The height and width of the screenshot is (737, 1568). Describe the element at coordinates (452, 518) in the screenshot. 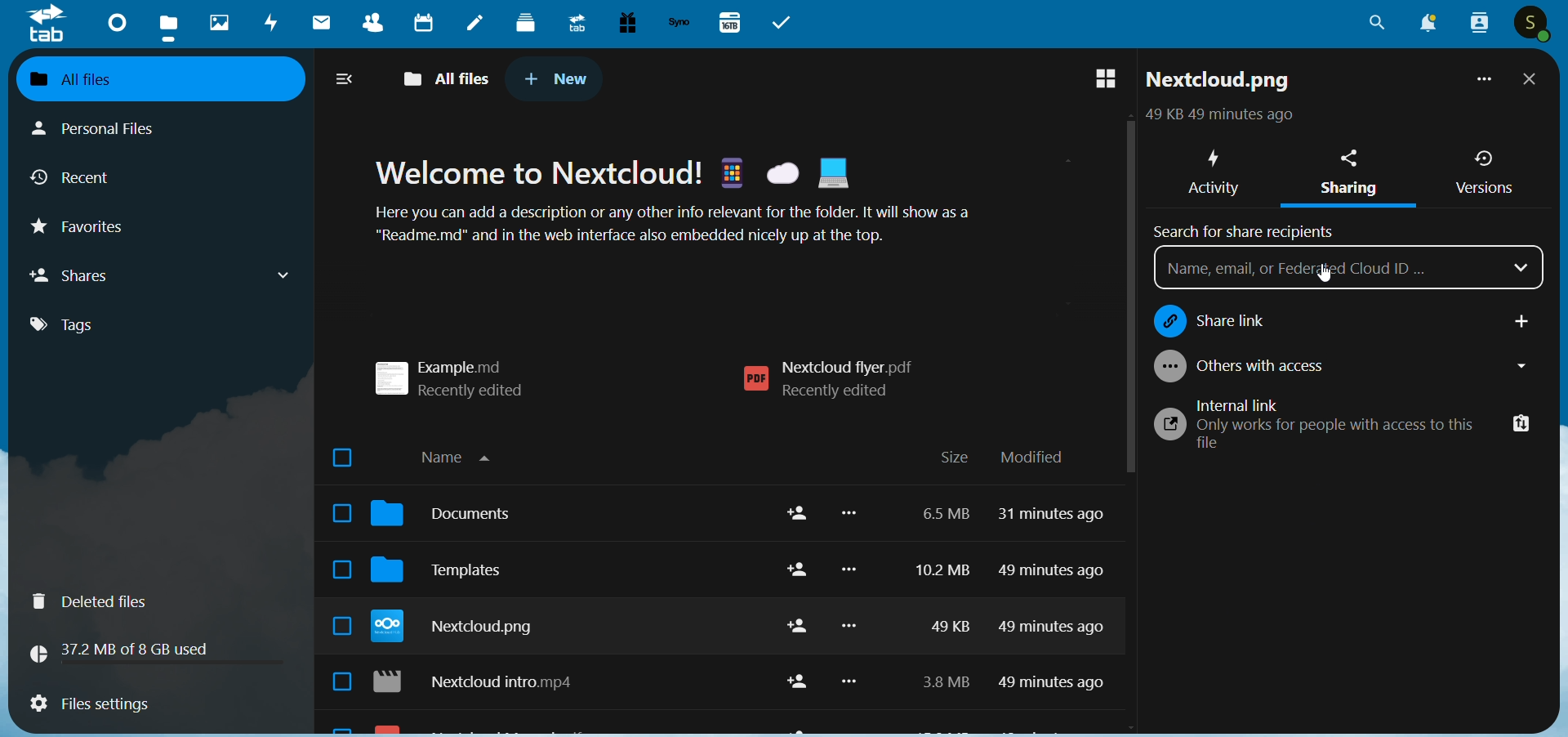

I see `document` at that location.